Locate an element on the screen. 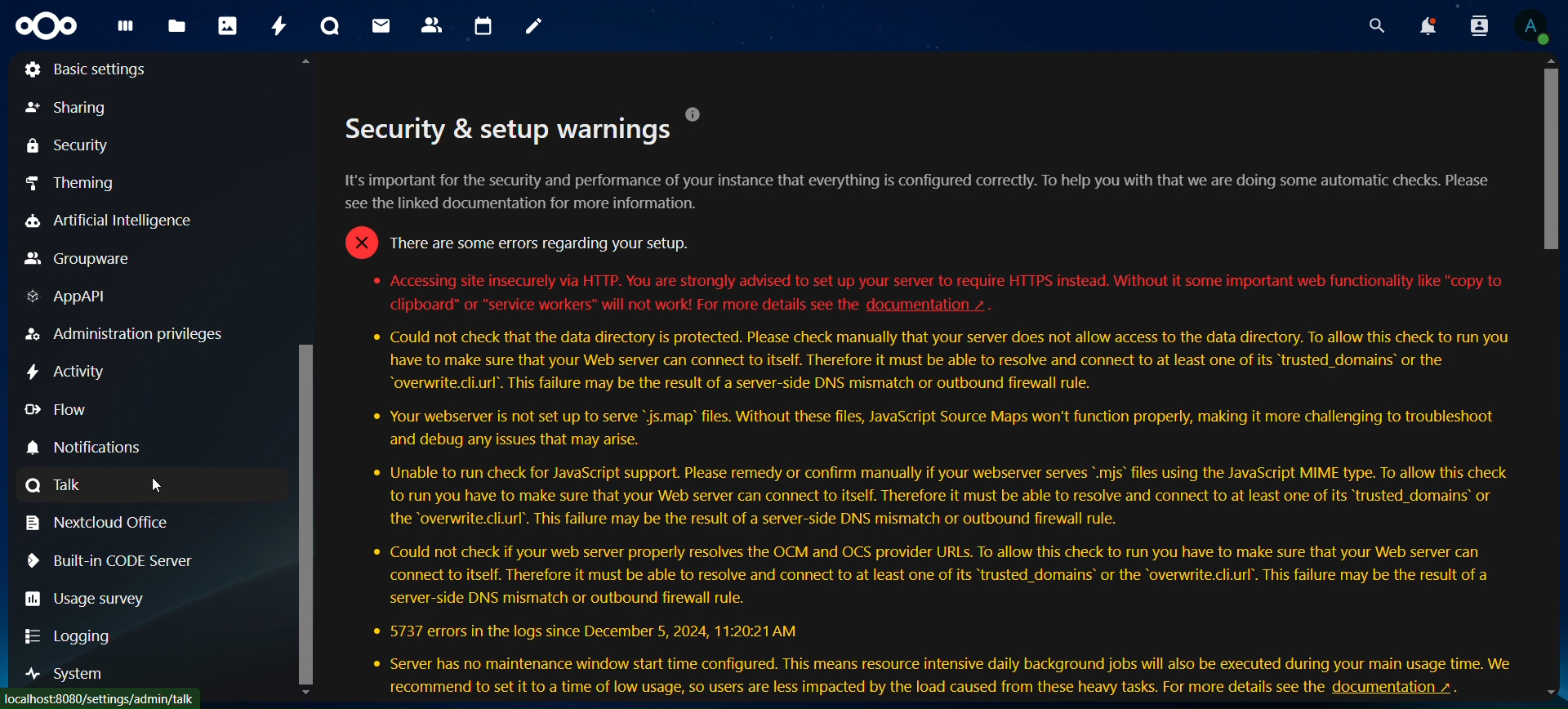  app api is located at coordinates (81, 300).